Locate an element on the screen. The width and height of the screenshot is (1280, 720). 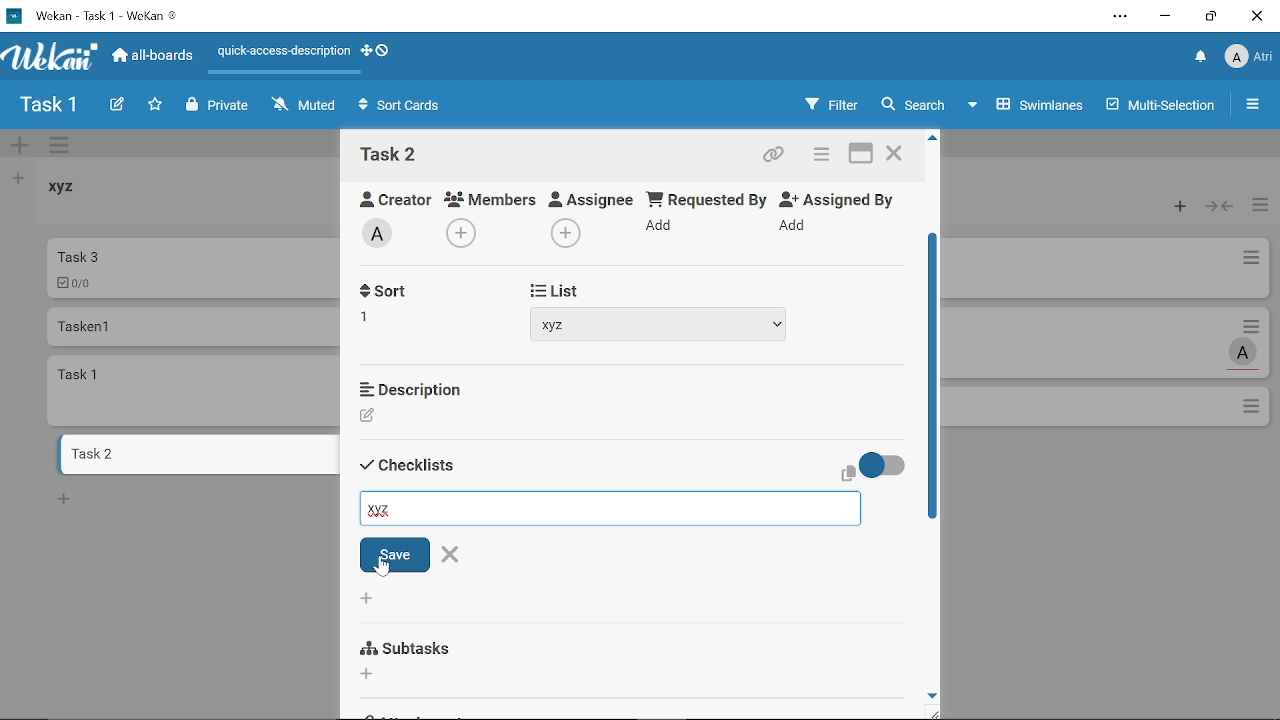
Manage swimlane is located at coordinates (61, 147).